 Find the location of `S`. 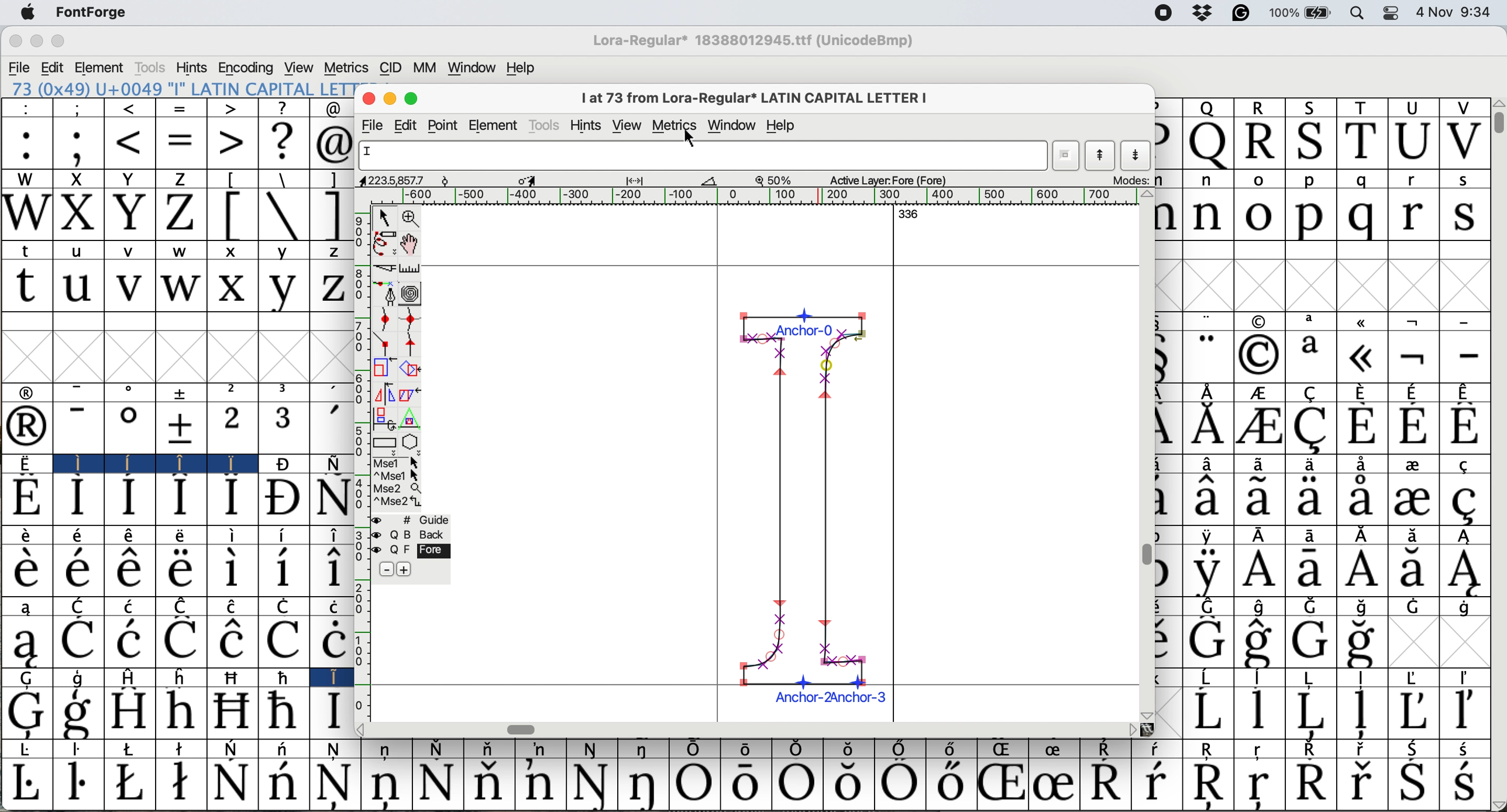

S is located at coordinates (1308, 106).